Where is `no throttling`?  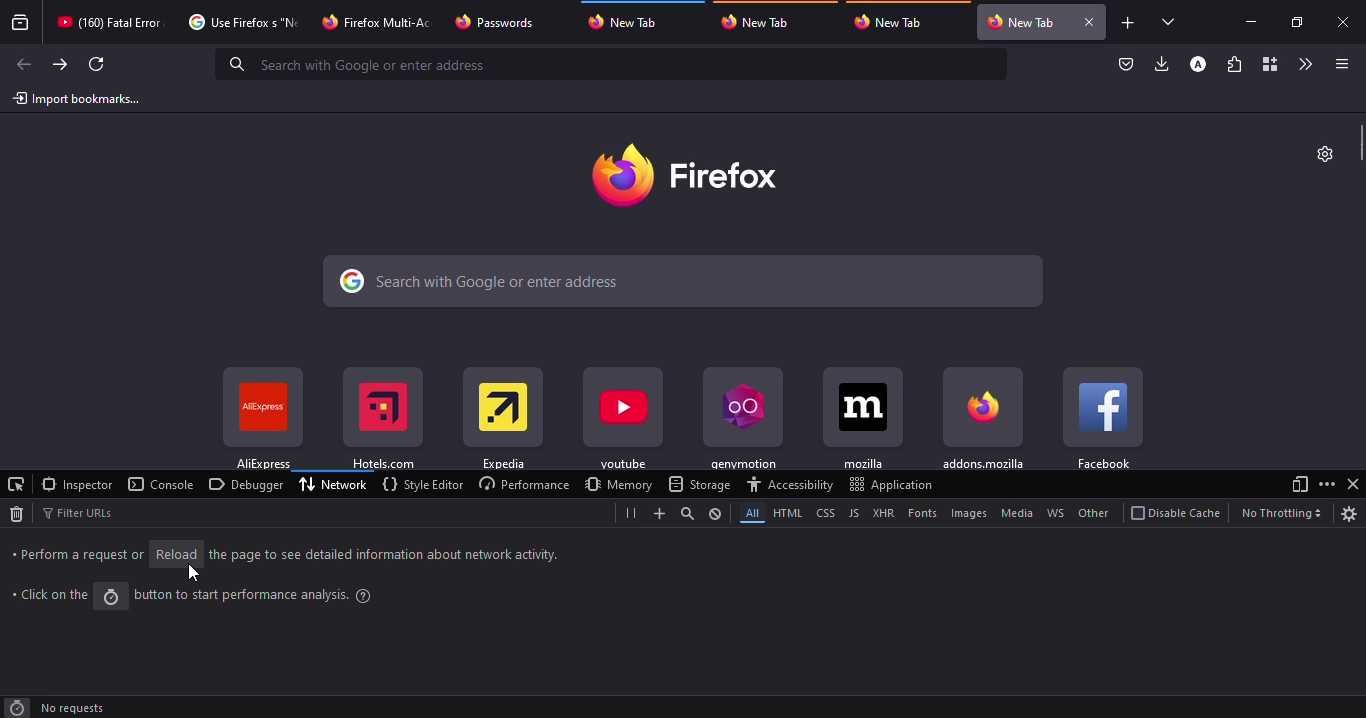 no throttling is located at coordinates (1281, 513).